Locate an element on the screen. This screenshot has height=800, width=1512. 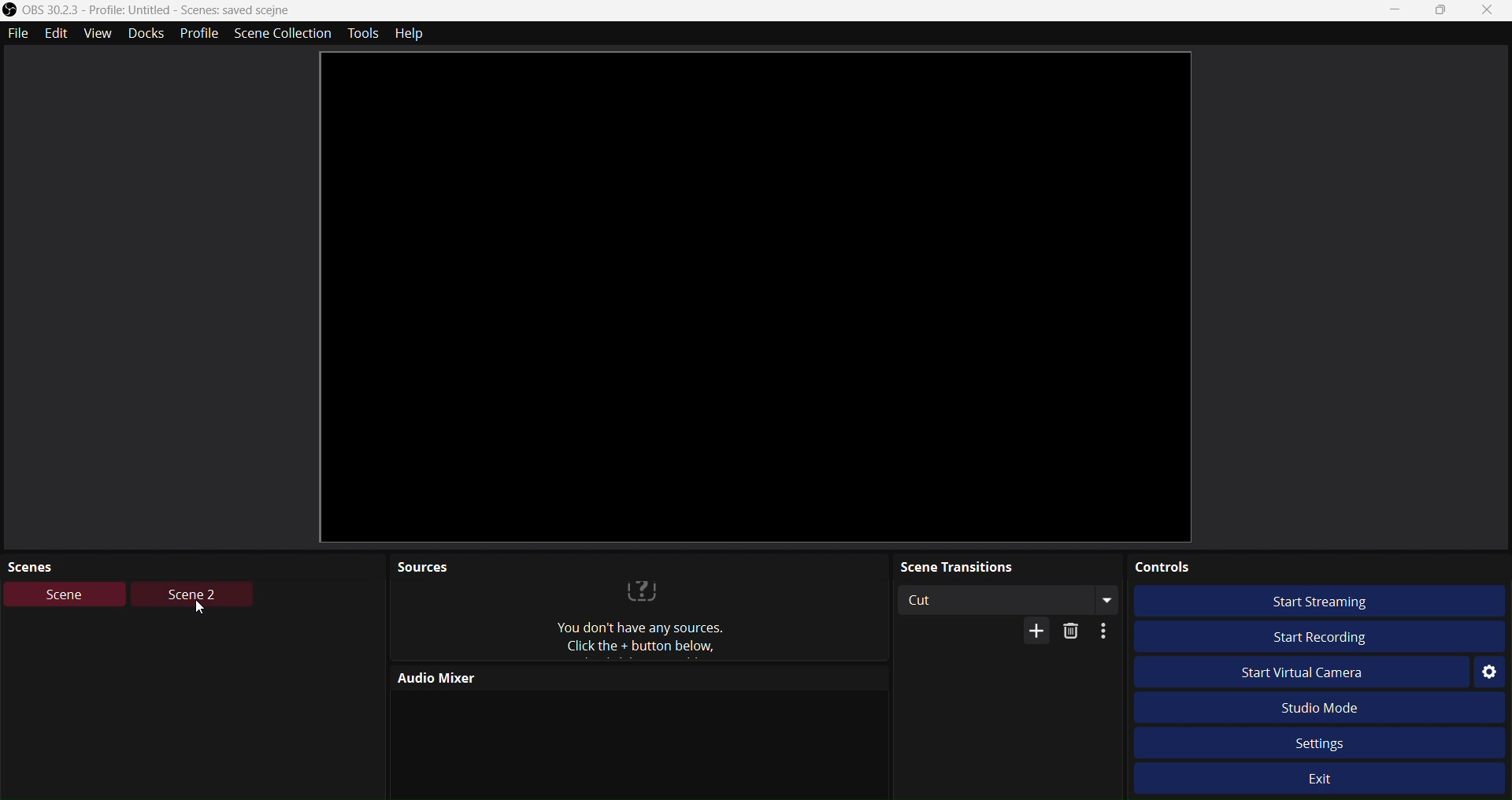
Start virtual camera is located at coordinates (1303, 672).